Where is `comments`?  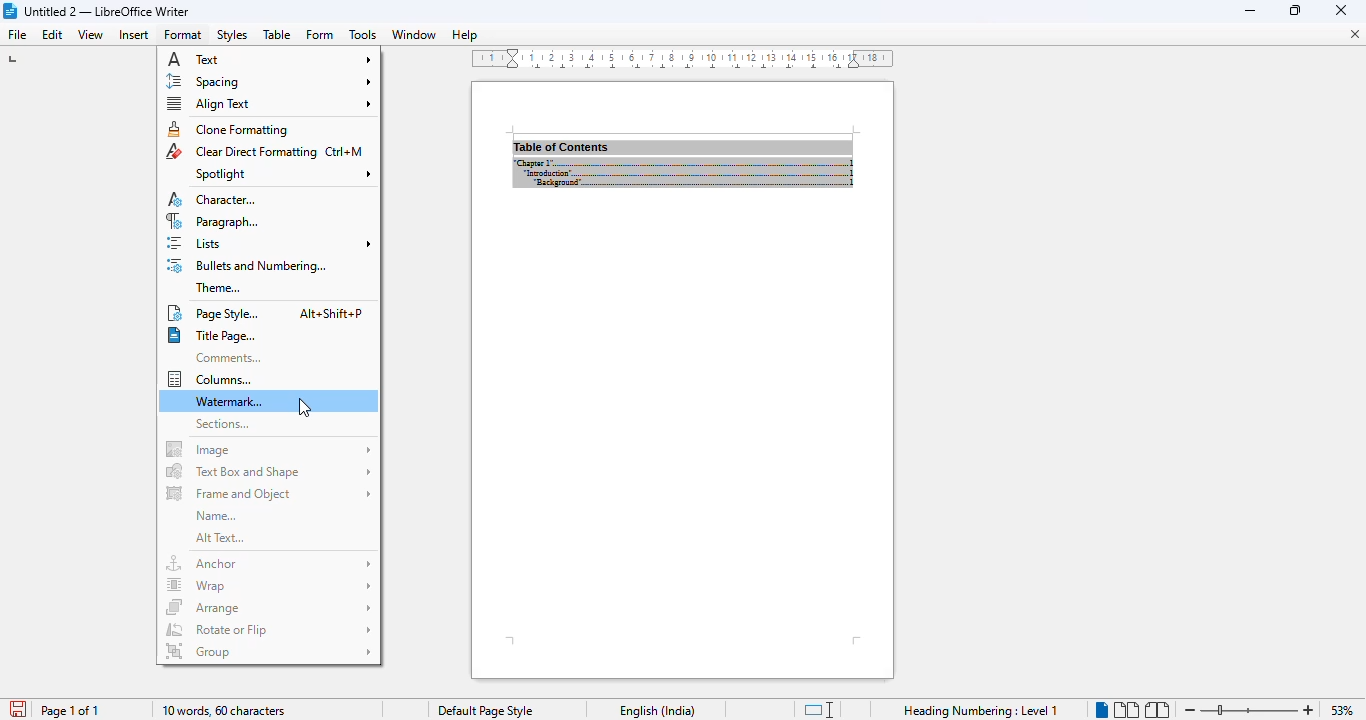
comments is located at coordinates (228, 358).